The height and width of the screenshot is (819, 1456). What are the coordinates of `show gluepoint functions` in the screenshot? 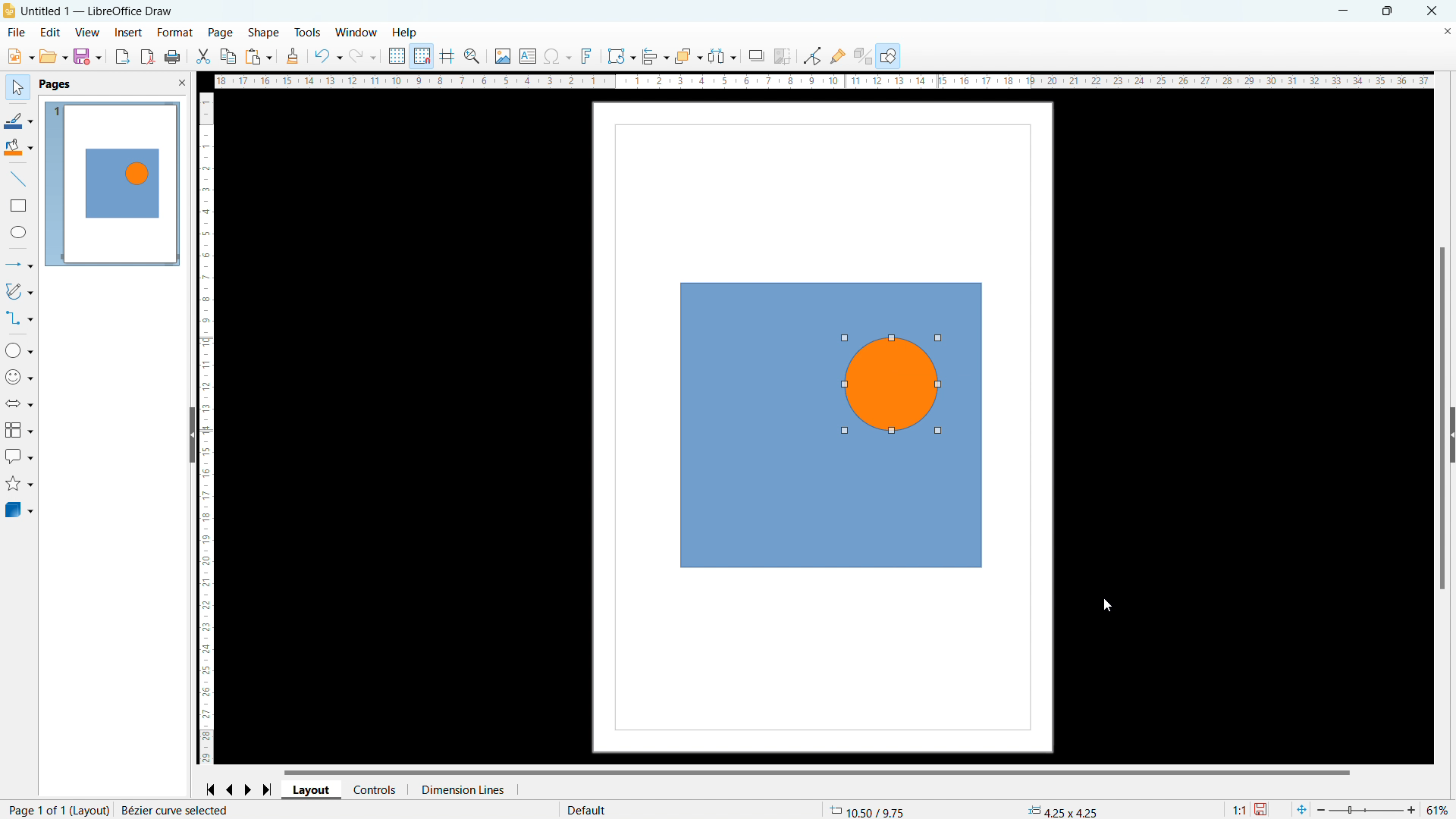 It's located at (837, 56).